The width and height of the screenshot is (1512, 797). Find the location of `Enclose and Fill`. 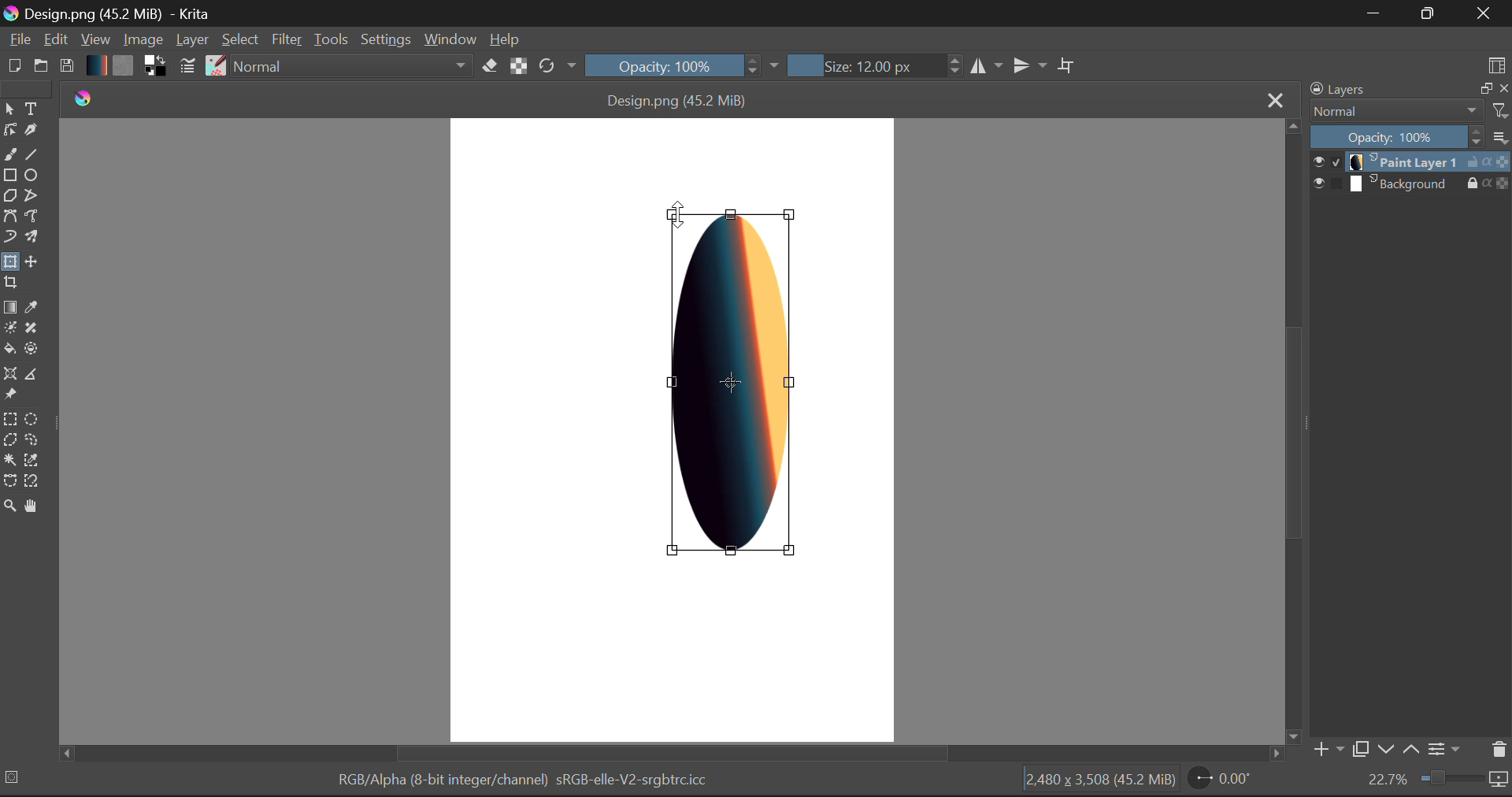

Enclose and Fill is located at coordinates (30, 349).